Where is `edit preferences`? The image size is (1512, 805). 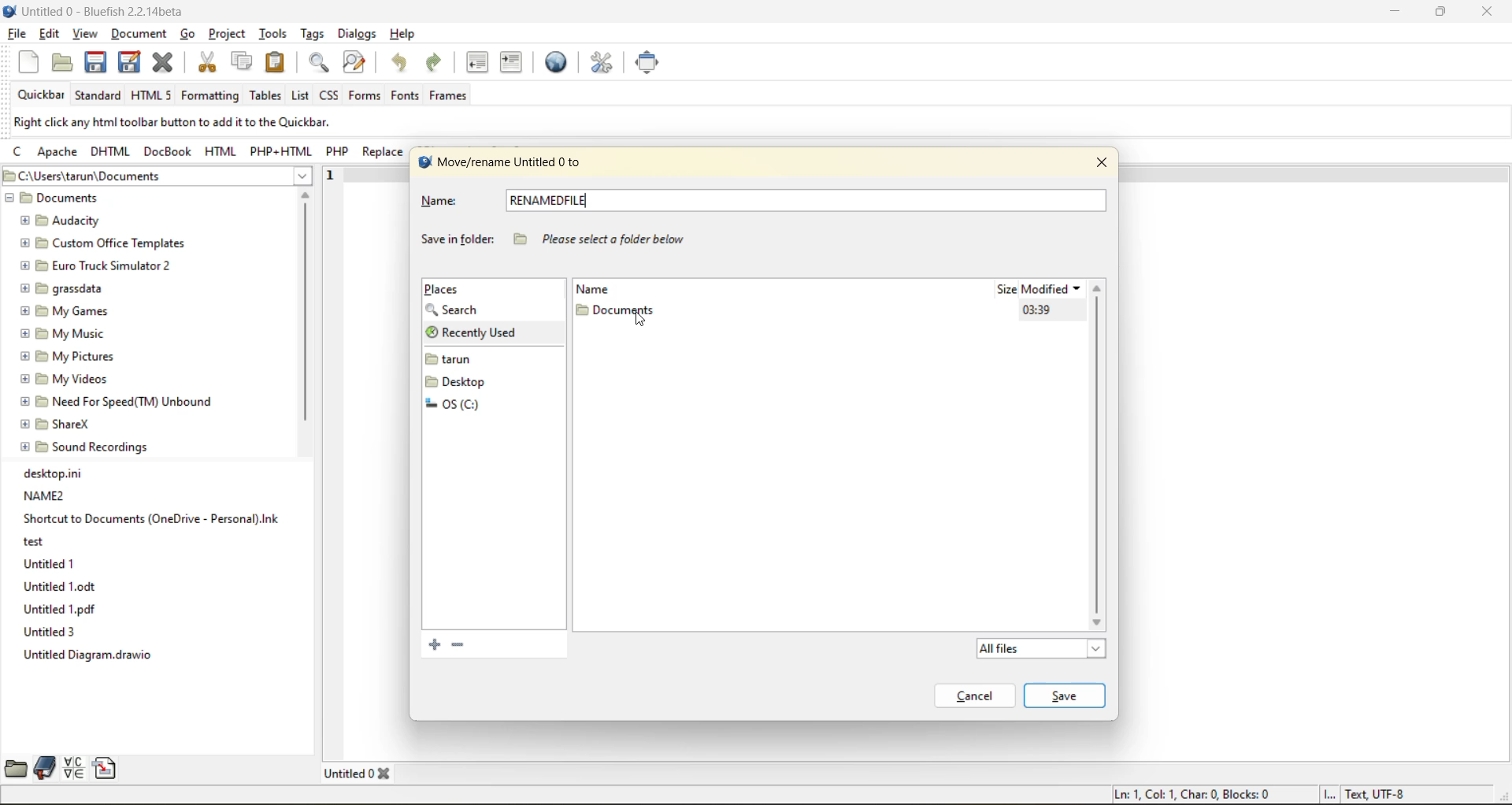 edit preferences is located at coordinates (600, 62).